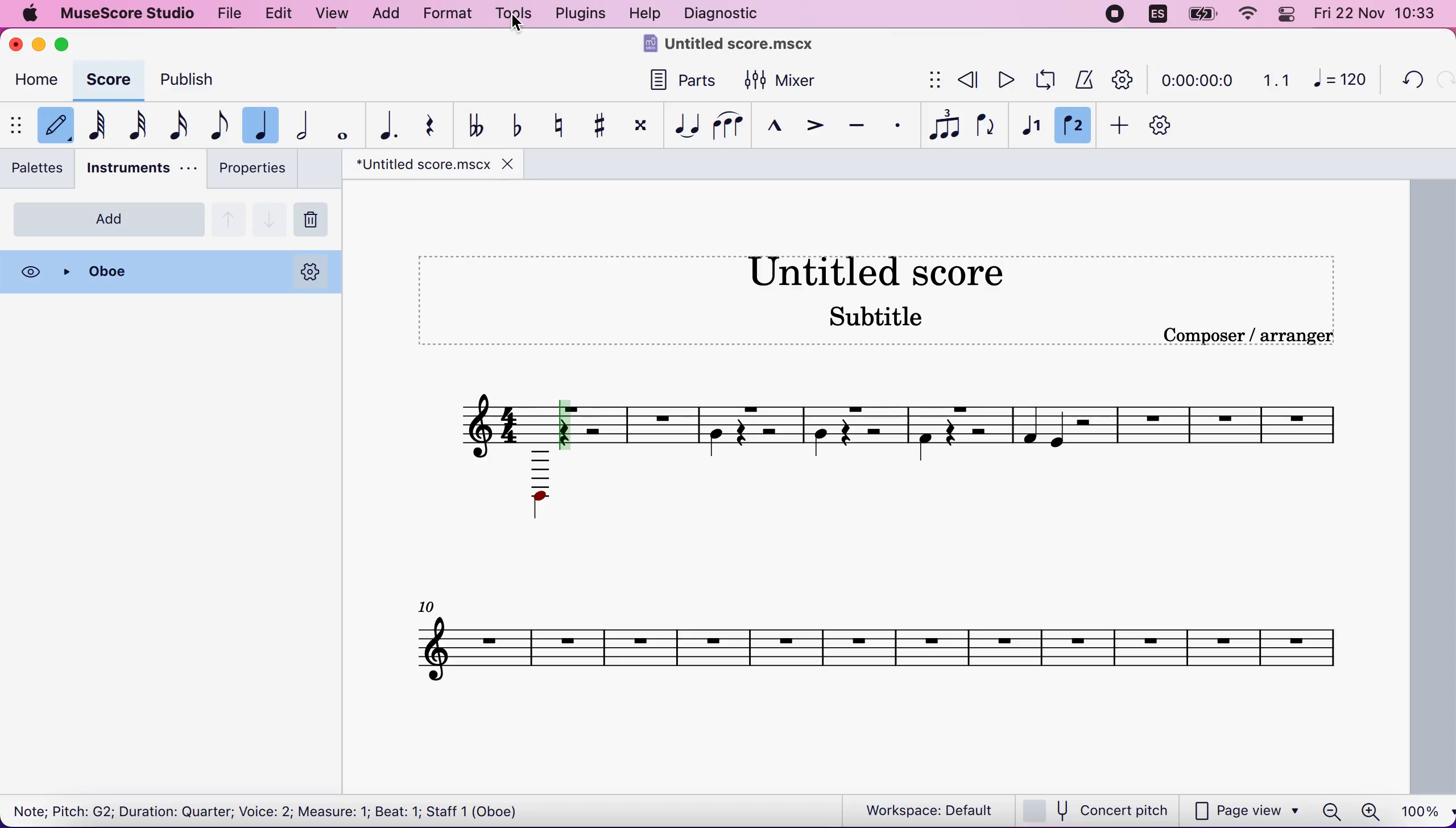 The image size is (1456, 828). I want to click on flip direction, so click(984, 124).